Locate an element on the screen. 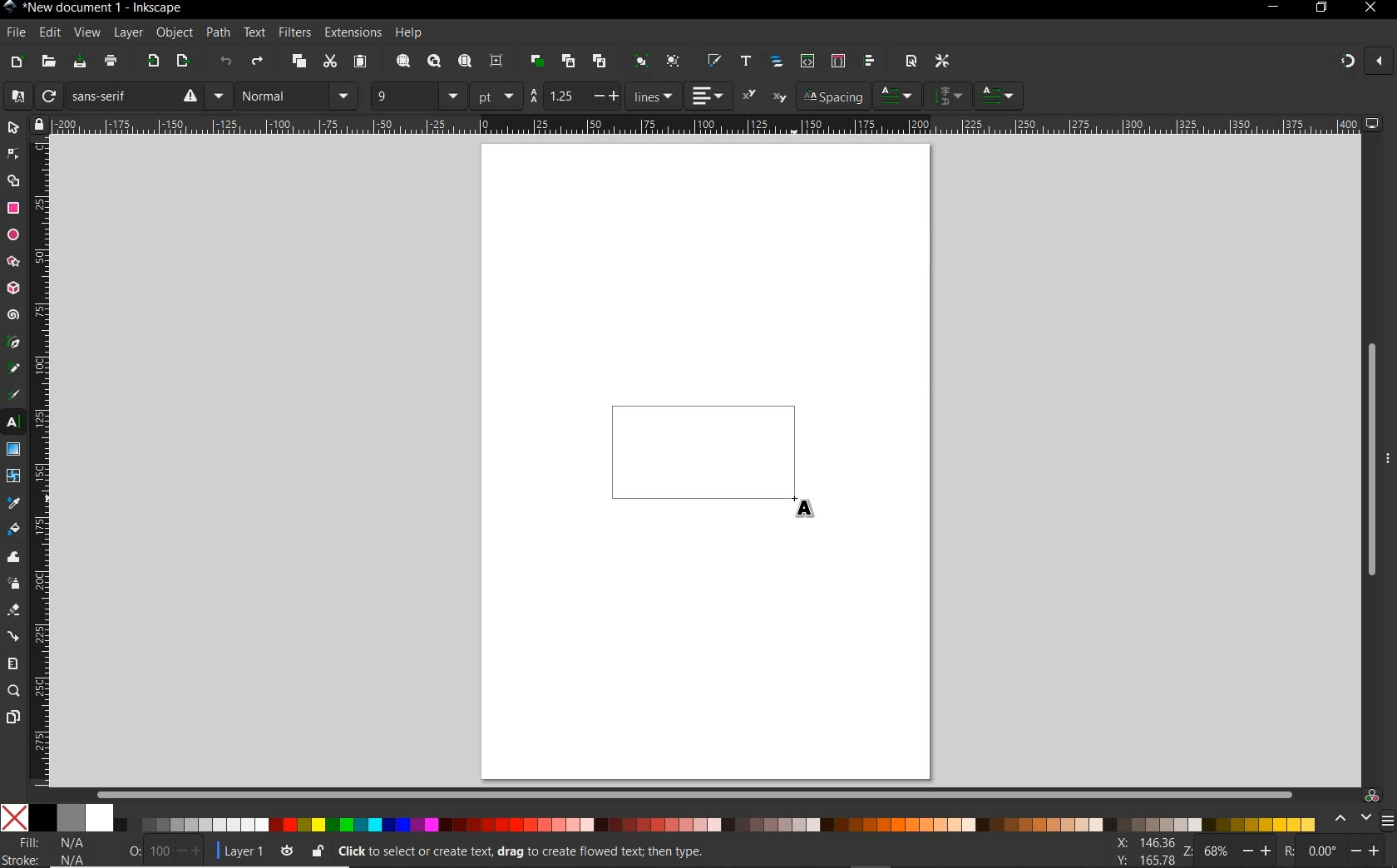 The image size is (1397, 868). node tool is located at coordinates (13, 154).